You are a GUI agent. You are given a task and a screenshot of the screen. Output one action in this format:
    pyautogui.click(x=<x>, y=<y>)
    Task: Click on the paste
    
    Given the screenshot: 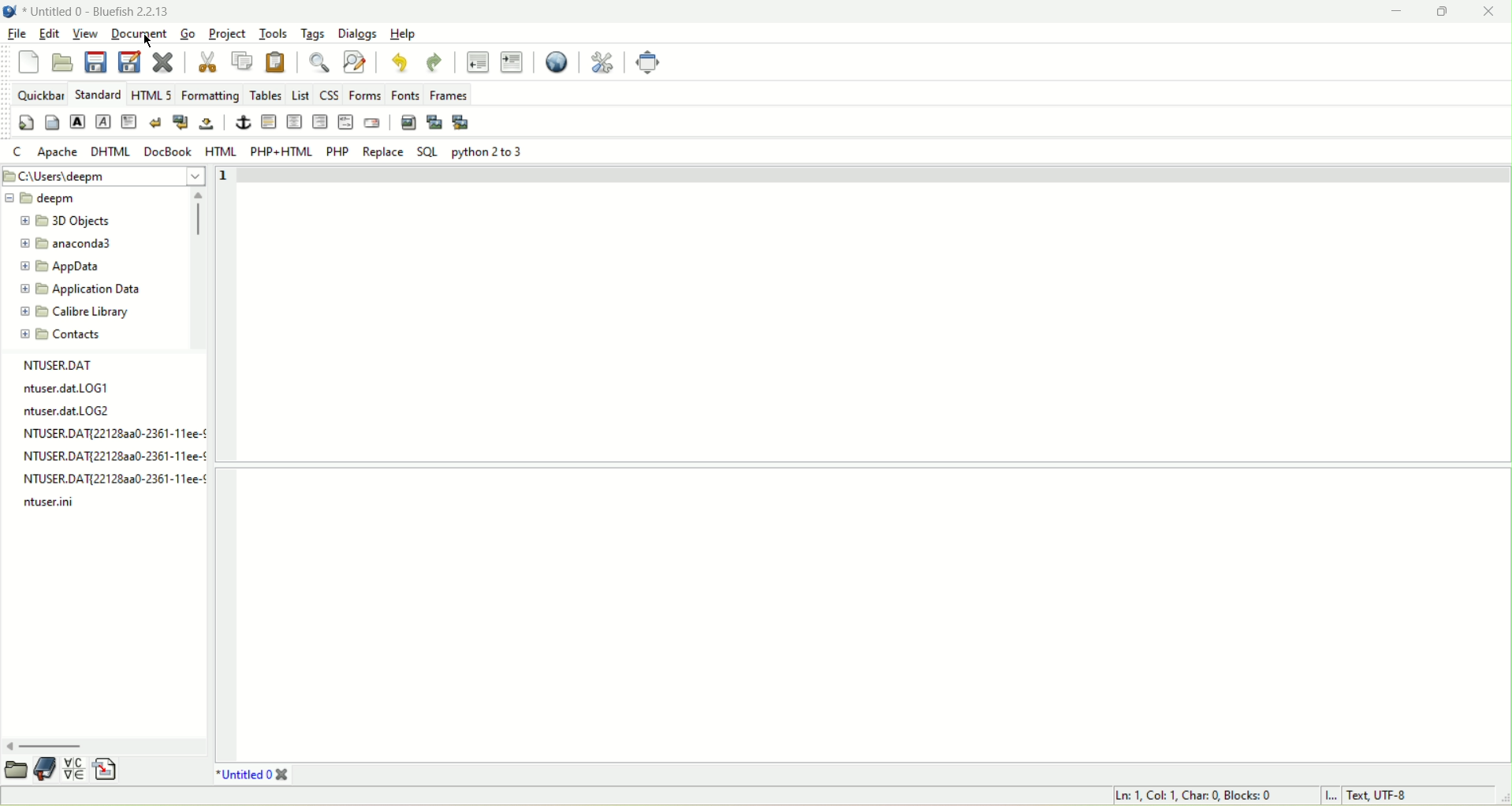 What is the action you would take?
    pyautogui.click(x=277, y=62)
    